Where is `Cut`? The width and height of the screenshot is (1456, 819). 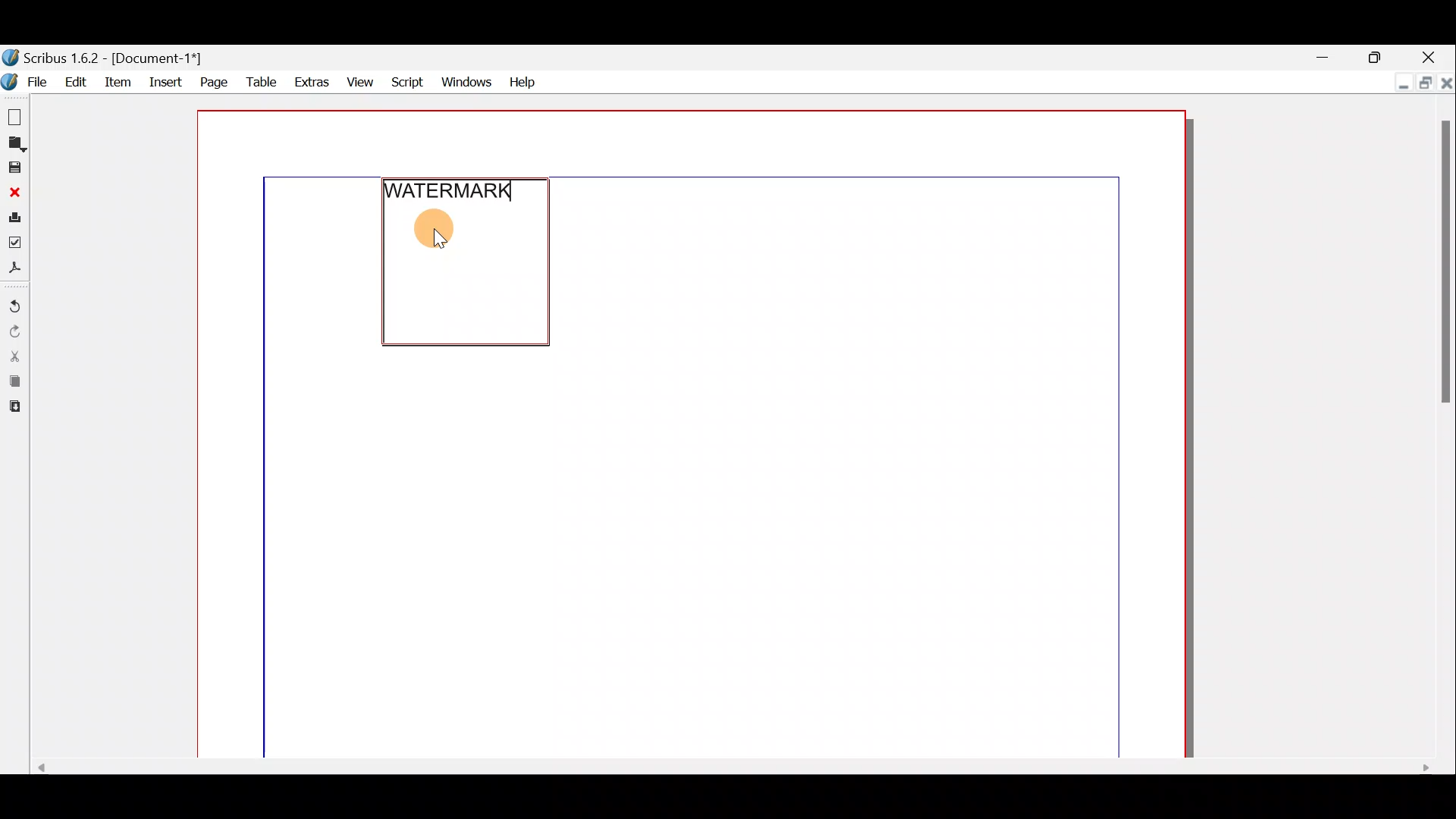 Cut is located at coordinates (14, 356).